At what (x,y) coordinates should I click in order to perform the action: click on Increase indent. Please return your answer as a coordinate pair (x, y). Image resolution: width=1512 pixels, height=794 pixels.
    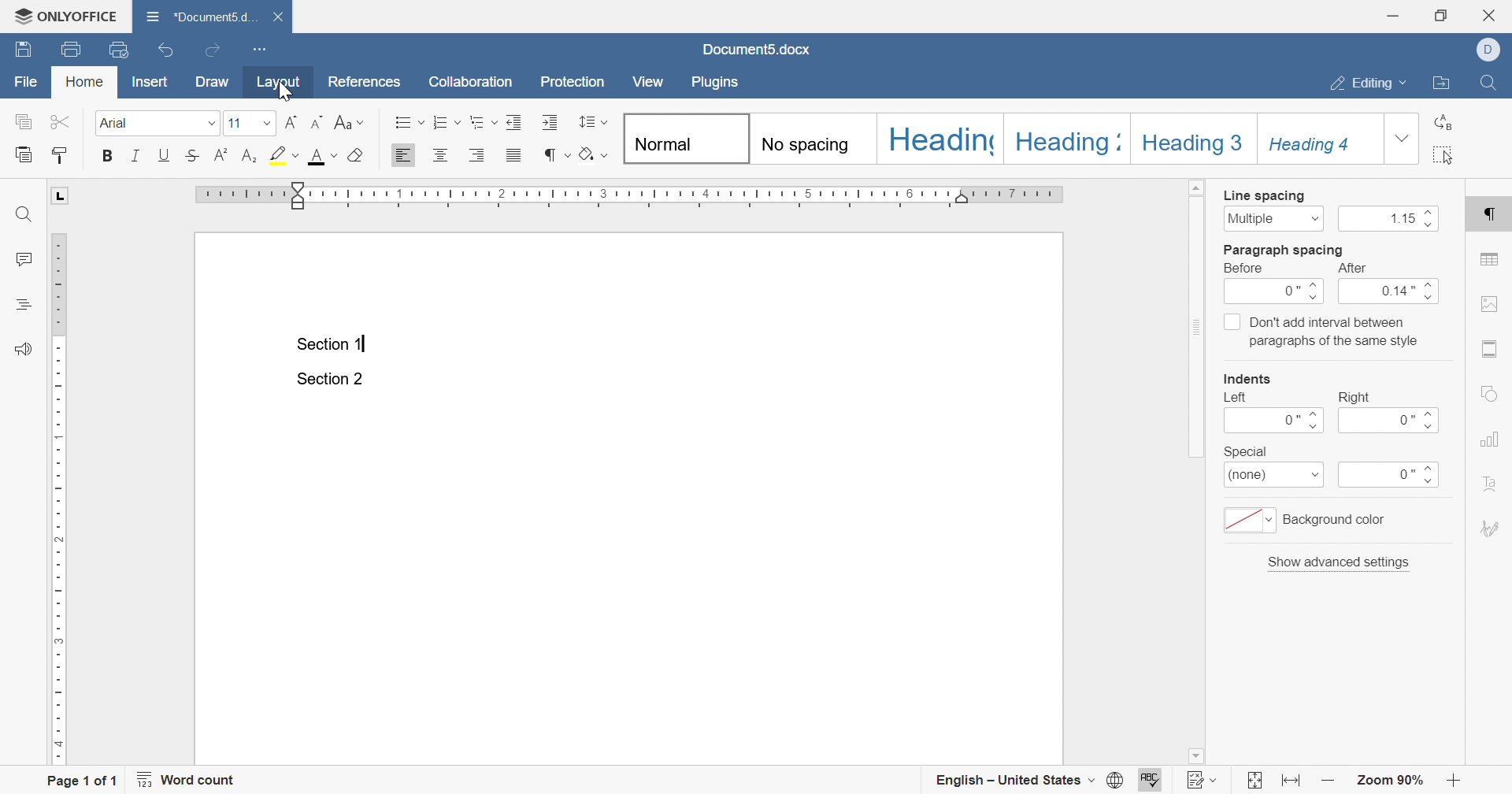
    Looking at the image, I should click on (552, 123).